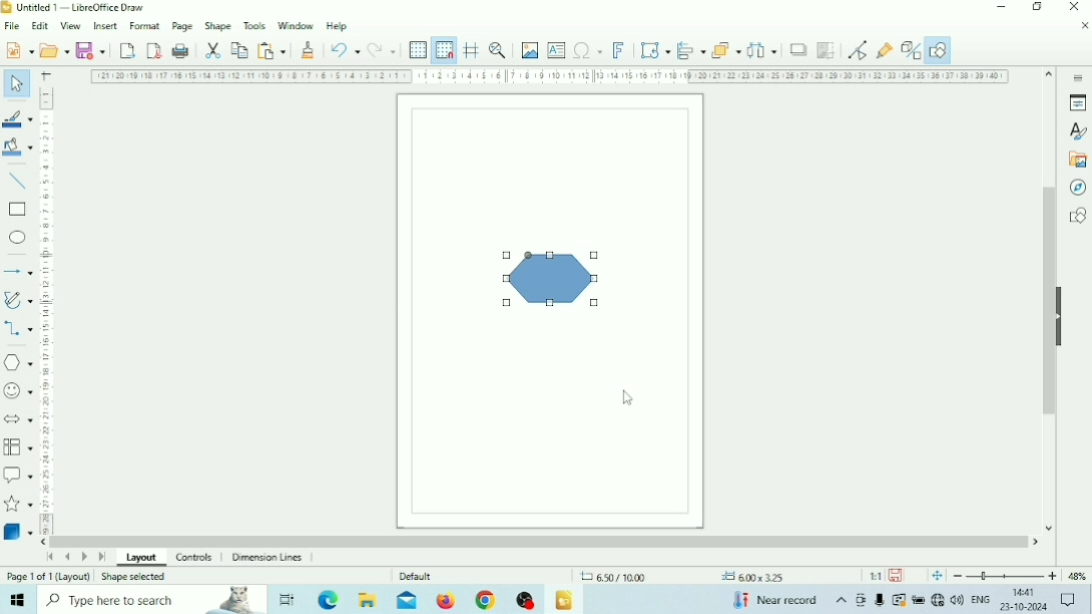 The width and height of the screenshot is (1092, 614). What do you see at coordinates (1026, 592) in the screenshot?
I see `Time` at bounding box center [1026, 592].